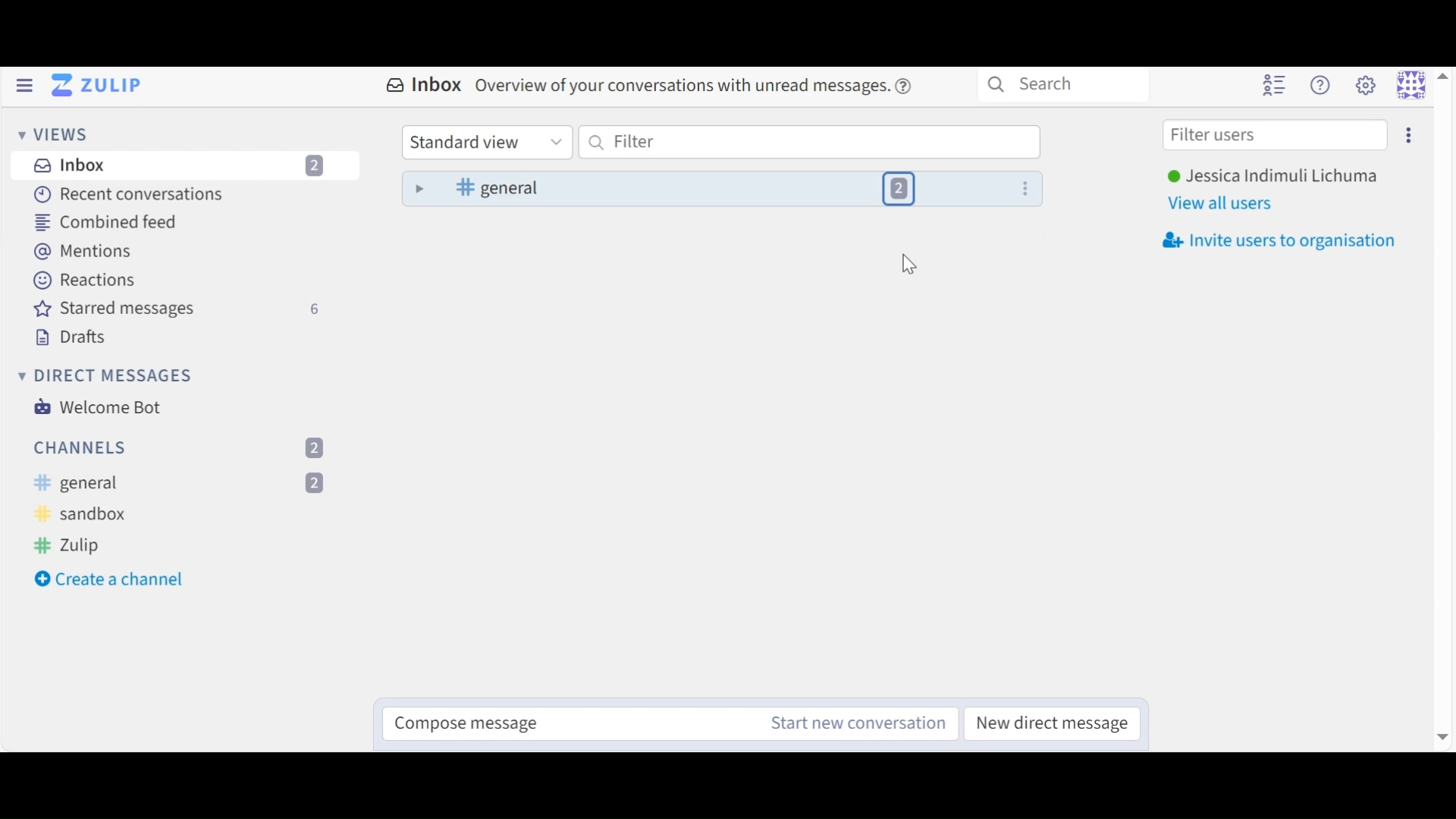 This screenshot has height=819, width=1456. I want to click on Inbox, so click(650, 83).